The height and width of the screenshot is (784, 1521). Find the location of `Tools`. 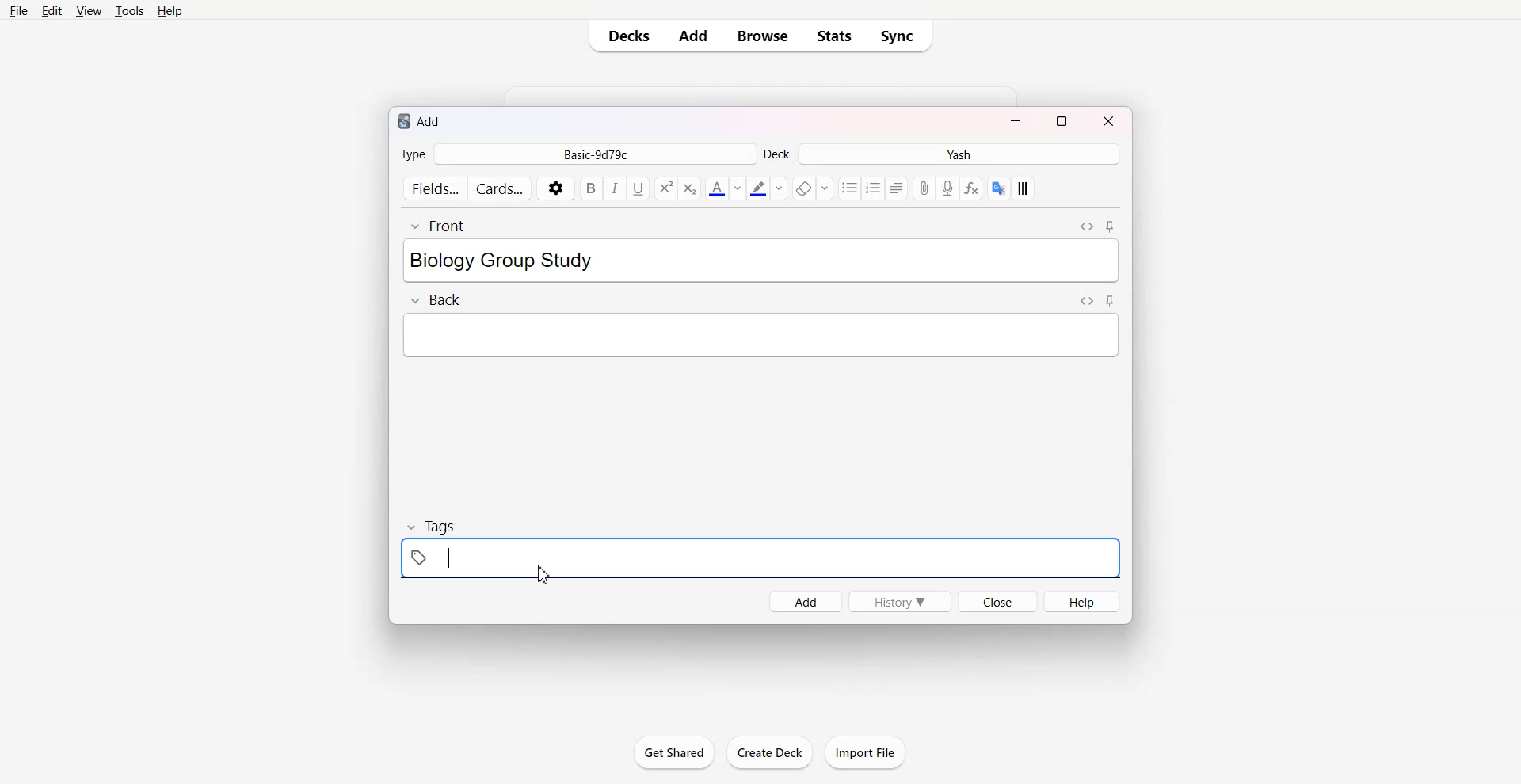

Tools is located at coordinates (130, 12).